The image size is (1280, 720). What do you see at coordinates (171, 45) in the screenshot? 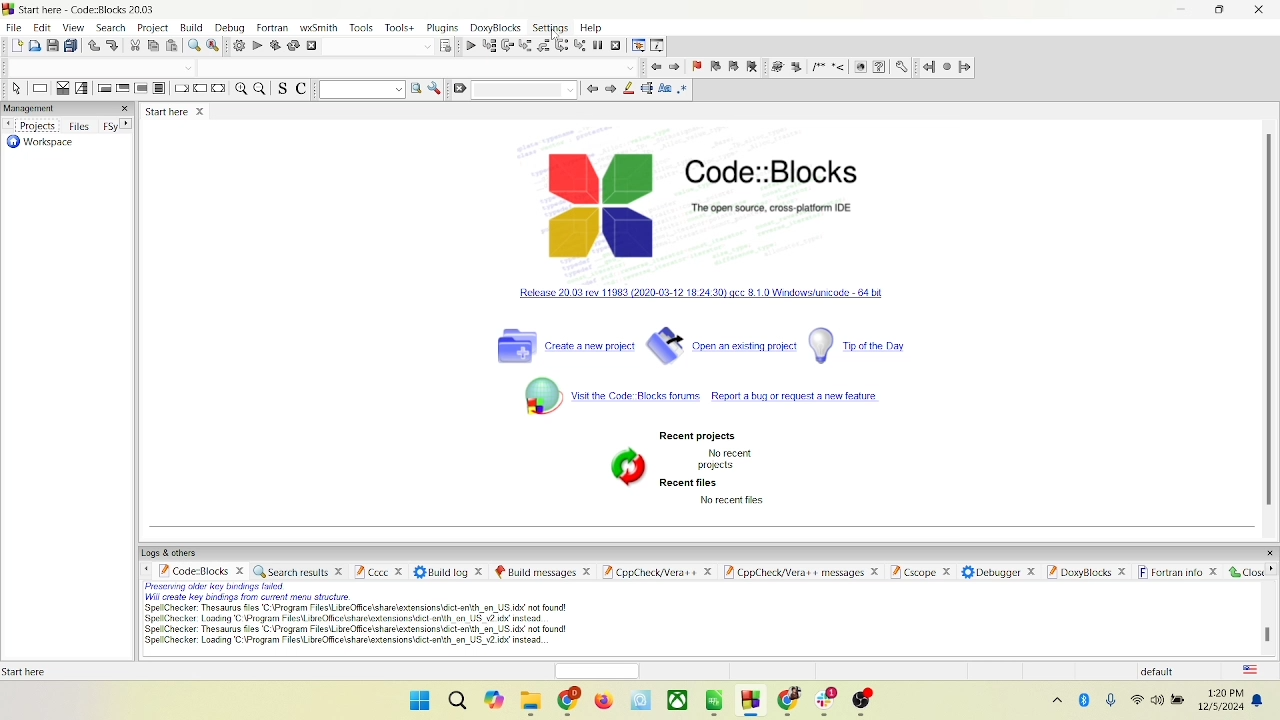
I see `paste` at bounding box center [171, 45].